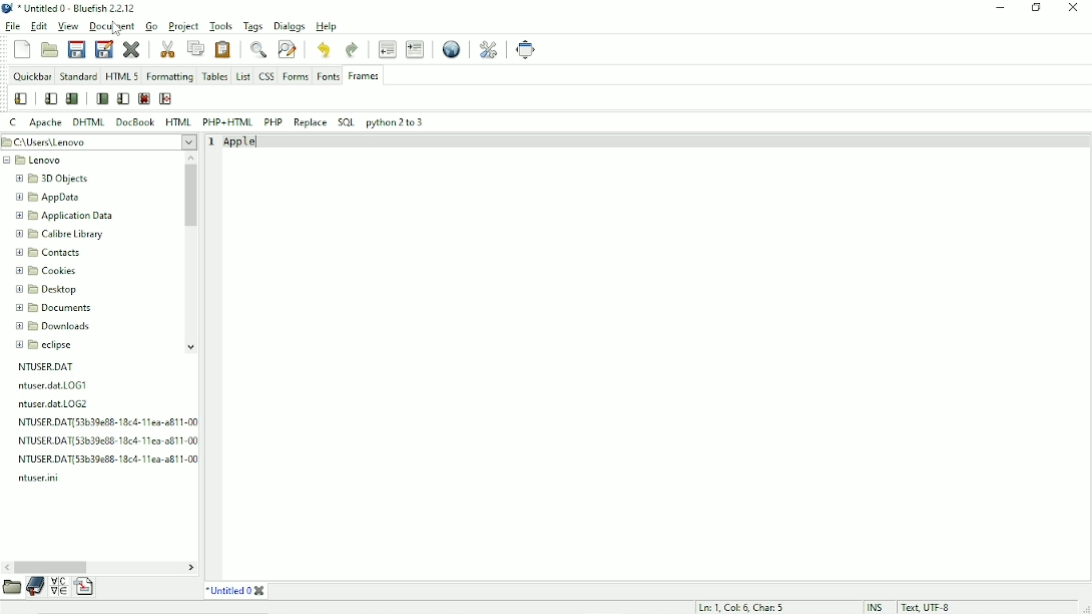 This screenshot has height=614, width=1092. Describe the element at coordinates (75, 47) in the screenshot. I see `Save current file` at that location.